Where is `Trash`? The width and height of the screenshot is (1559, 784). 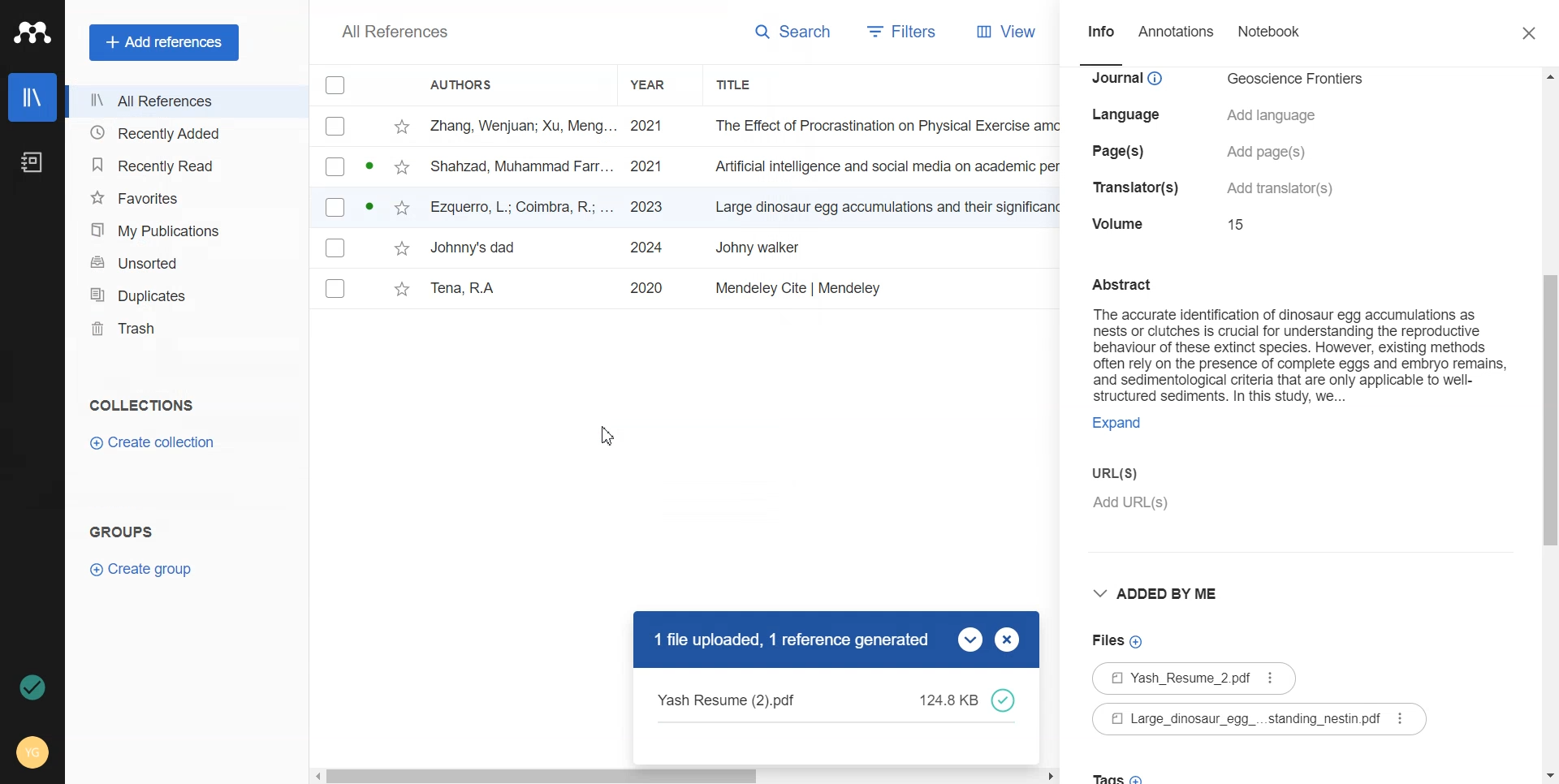 Trash is located at coordinates (186, 328).